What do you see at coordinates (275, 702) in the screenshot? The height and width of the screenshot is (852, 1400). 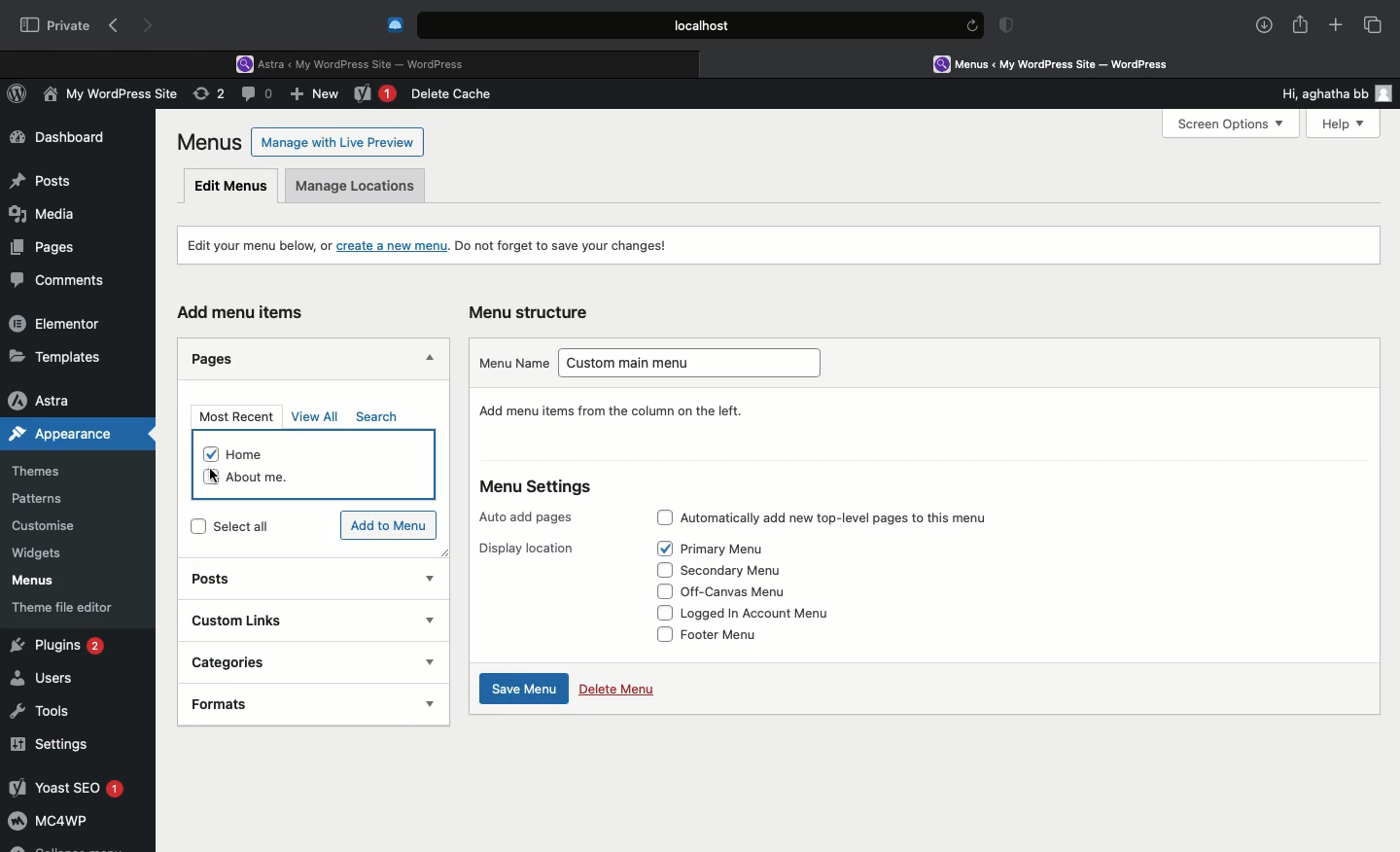 I see `Formats` at bounding box center [275, 702].